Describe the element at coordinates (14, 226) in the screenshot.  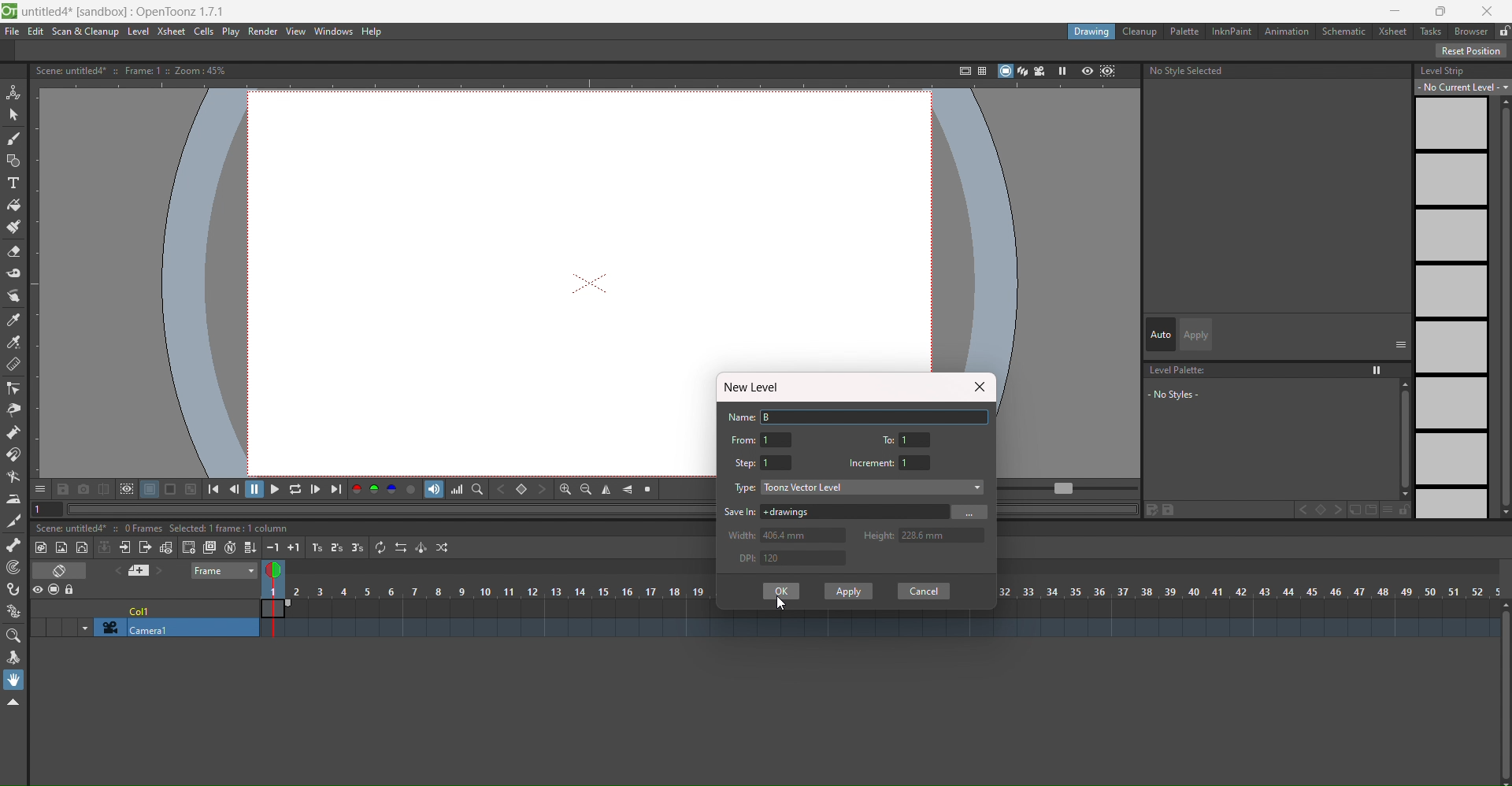
I see `paint brush tool` at that location.